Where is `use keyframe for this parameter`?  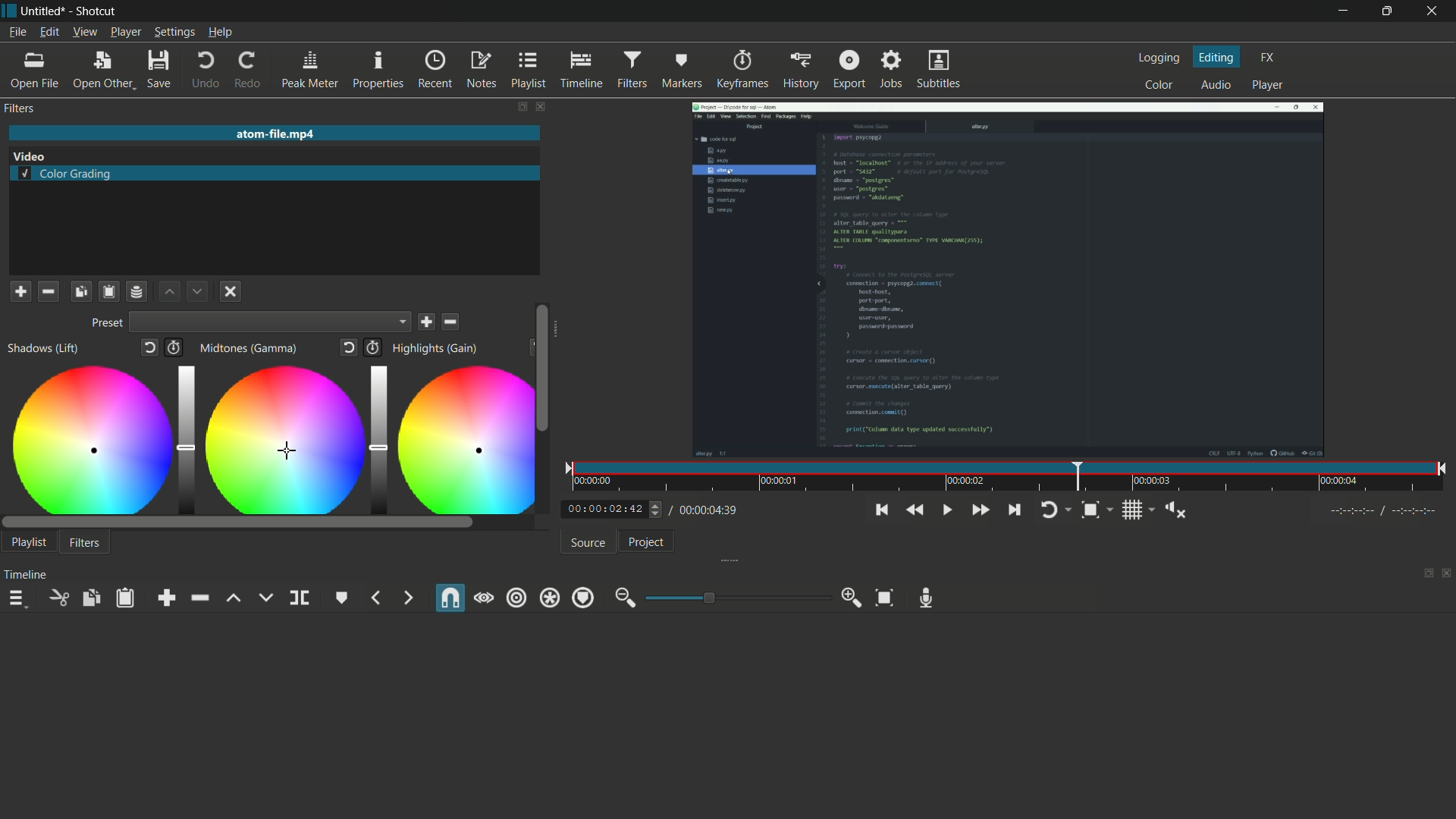
use keyframe for this parameter is located at coordinates (178, 349).